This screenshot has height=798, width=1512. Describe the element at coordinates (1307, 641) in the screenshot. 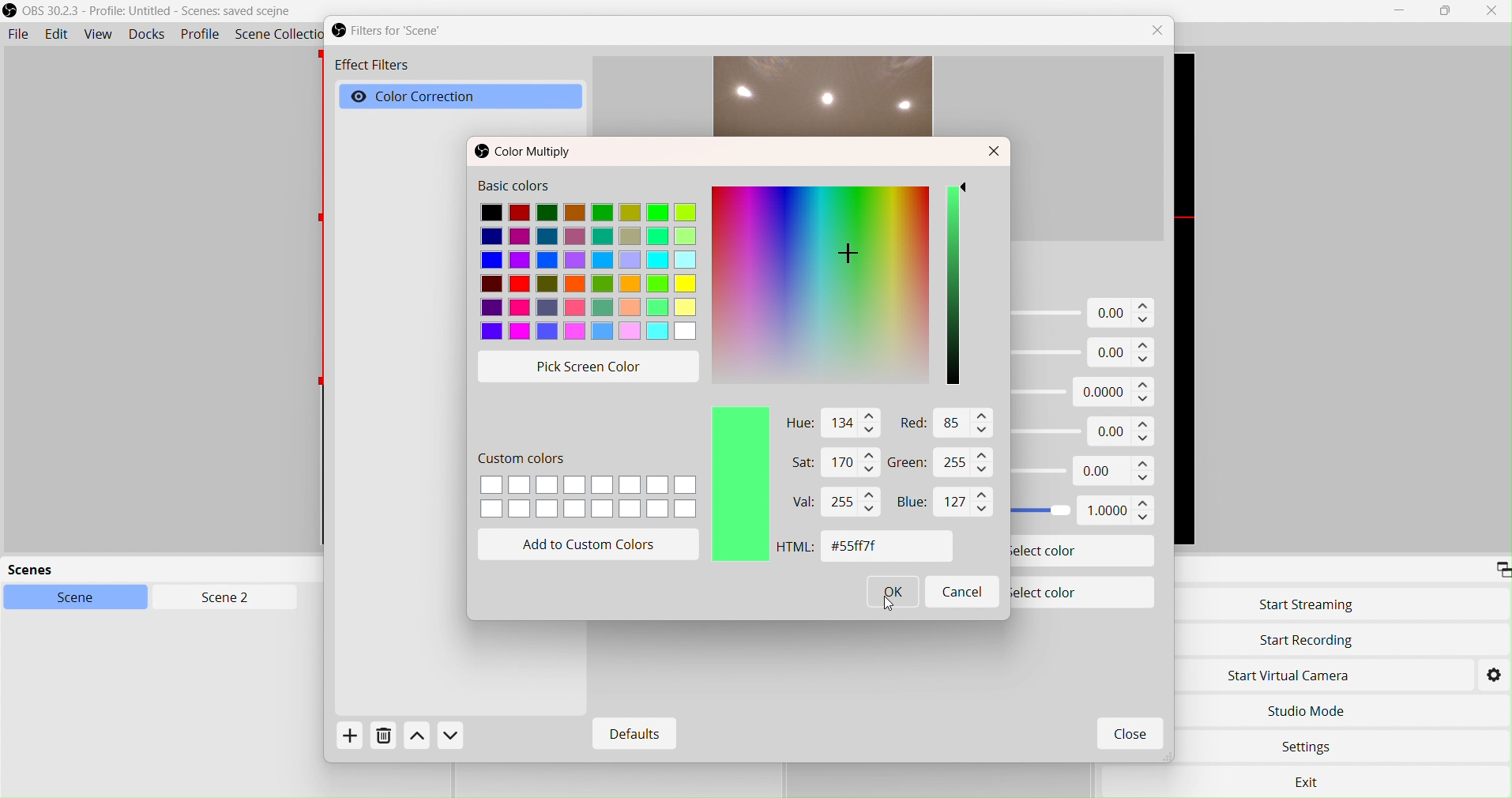

I see `Start Recording` at that location.